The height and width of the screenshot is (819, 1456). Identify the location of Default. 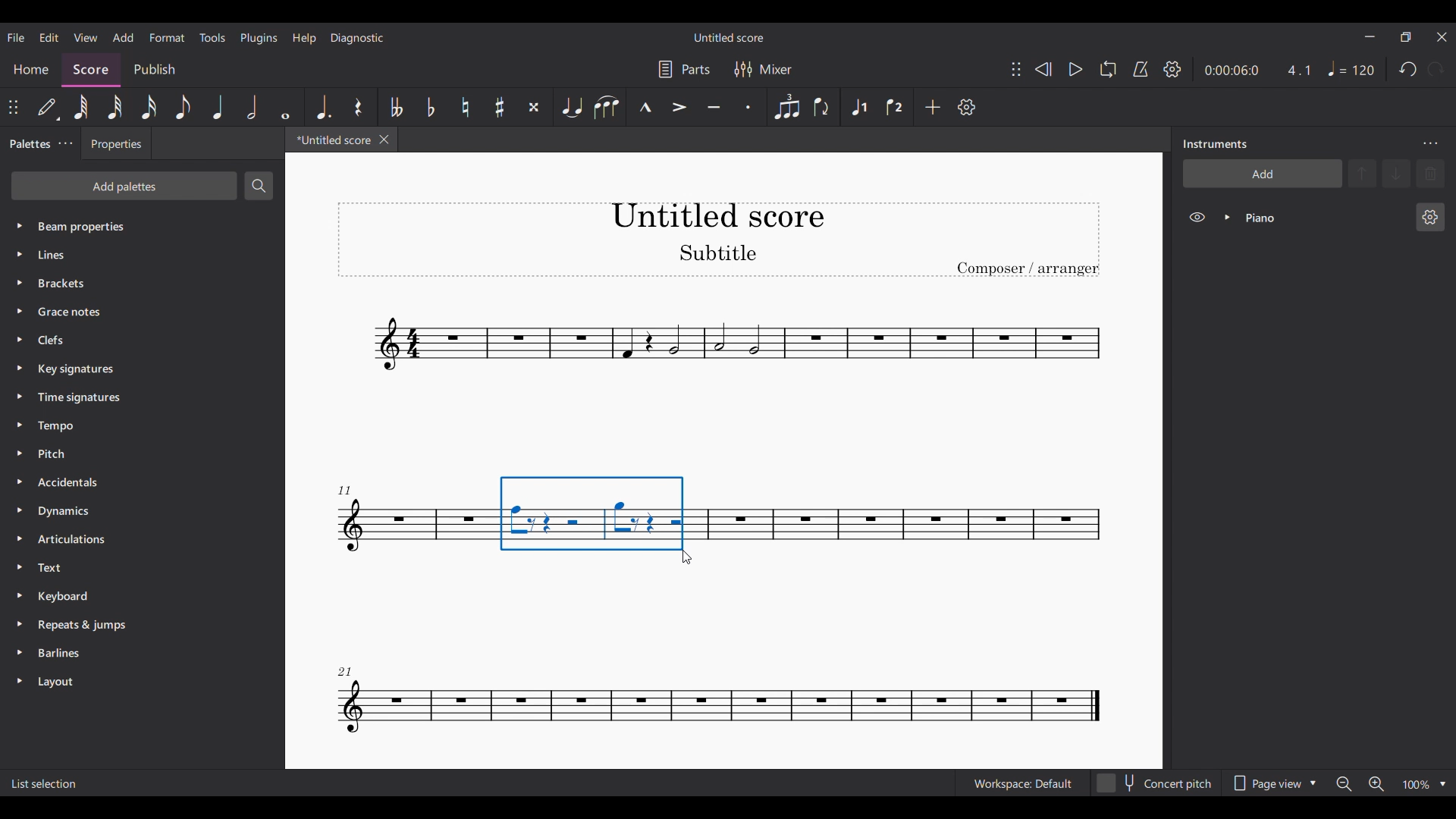
(49, 107).